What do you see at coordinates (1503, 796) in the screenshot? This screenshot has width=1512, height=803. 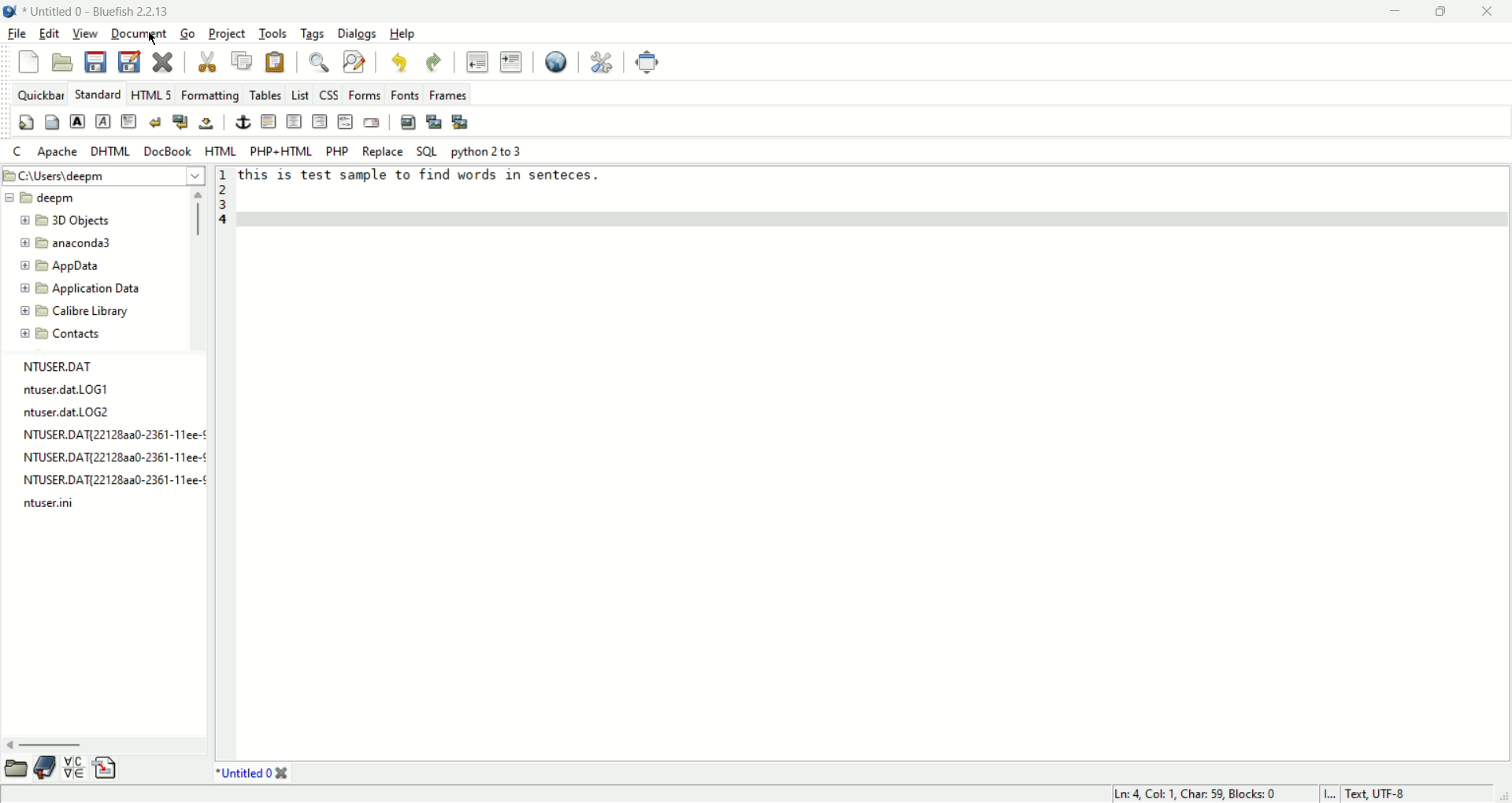 I see `Drag to change size` at bounding box center [1503, 796].